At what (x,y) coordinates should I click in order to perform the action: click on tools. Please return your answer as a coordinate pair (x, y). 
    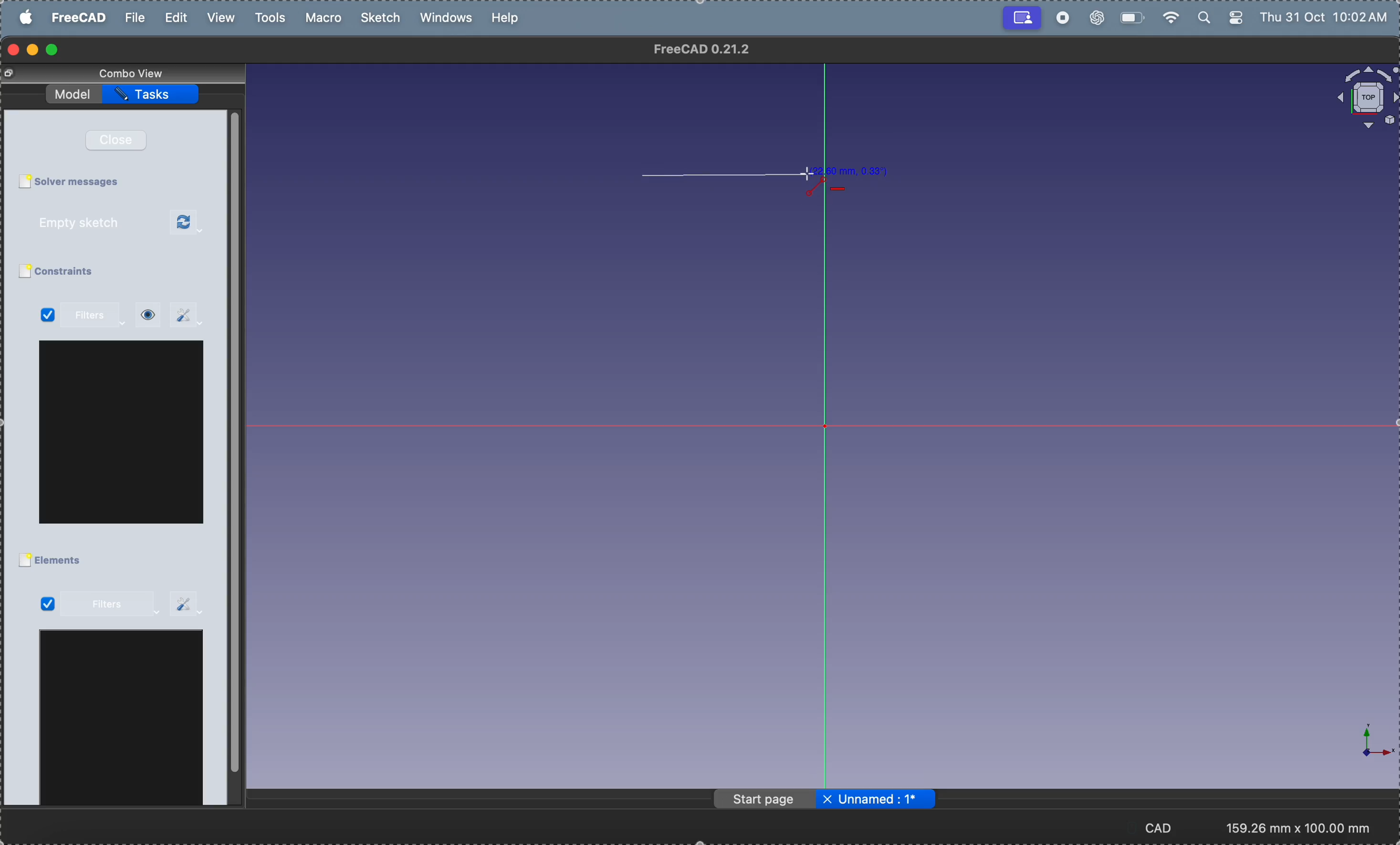
    Looking at the image, I should click on (273, 18).